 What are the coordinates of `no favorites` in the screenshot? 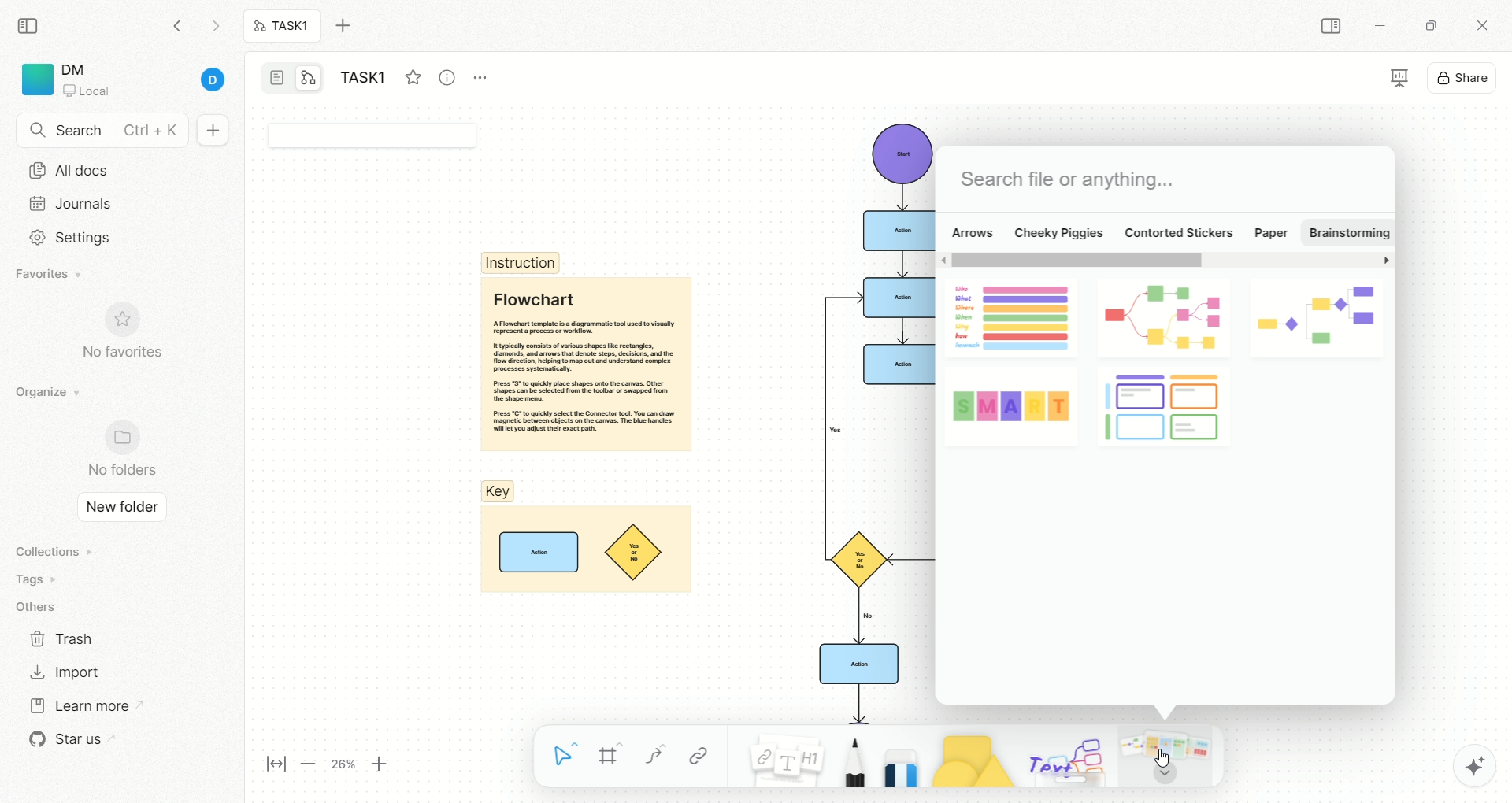 It's located at (130, 340).